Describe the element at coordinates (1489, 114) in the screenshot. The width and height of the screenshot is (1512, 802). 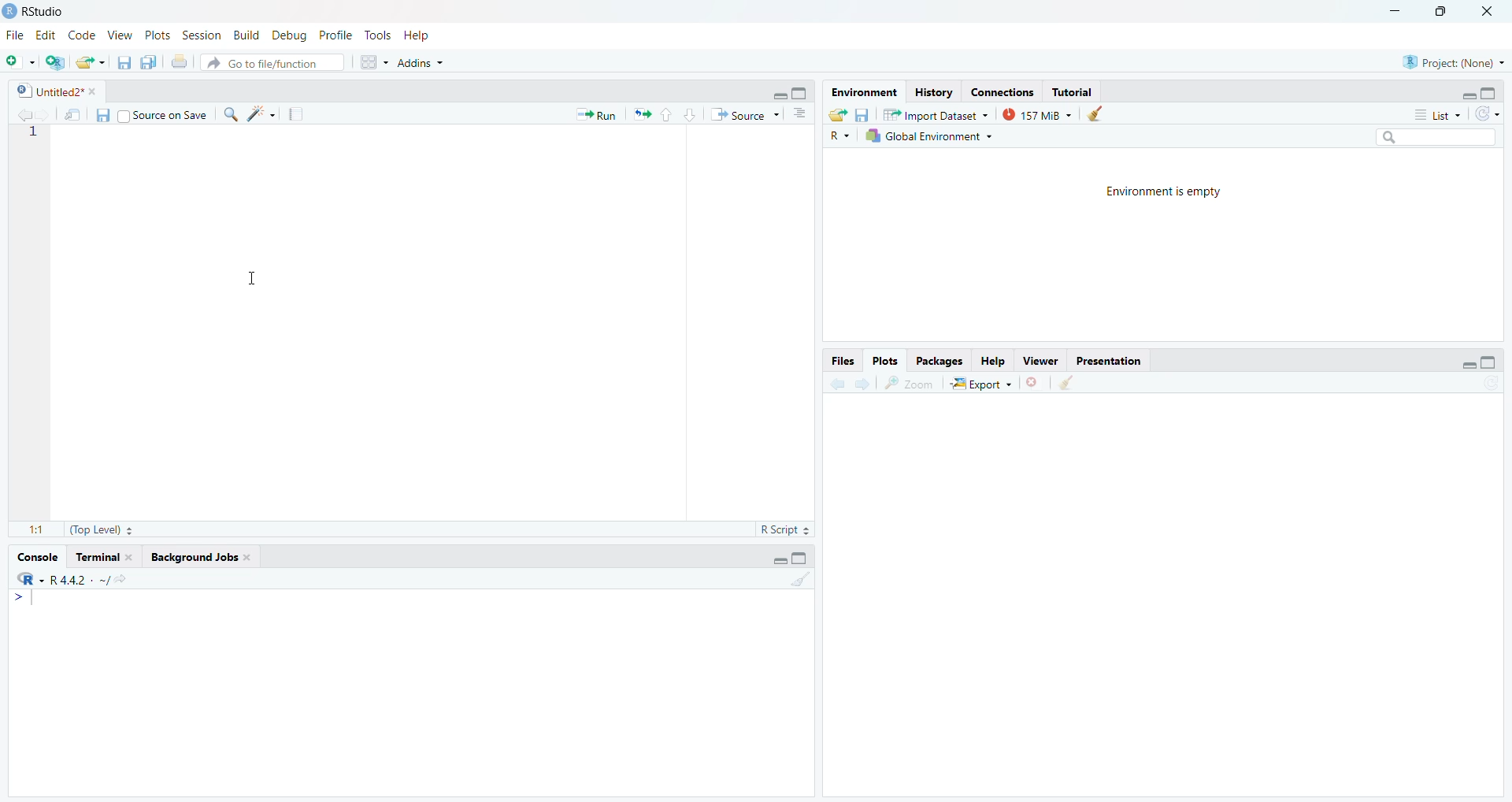
I see `refresh the list of objects in the environment` at that location.